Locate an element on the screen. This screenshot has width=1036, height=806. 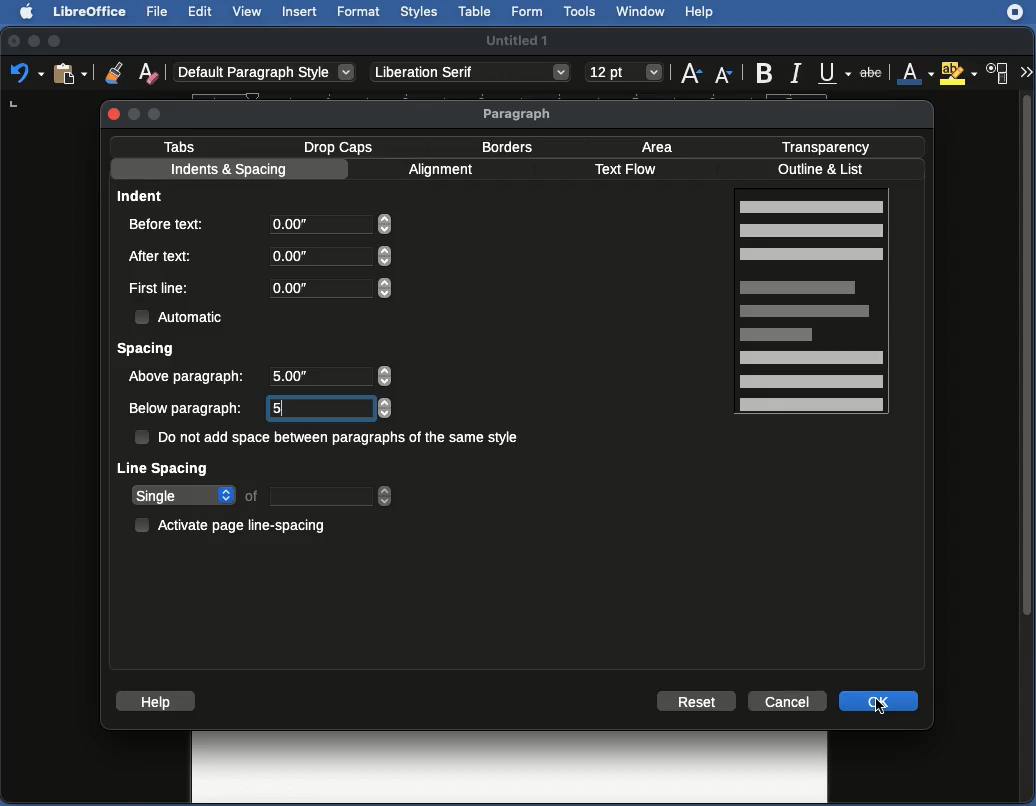
Do not add space between paragraphs of the same style is located at coordinates (330, 439).